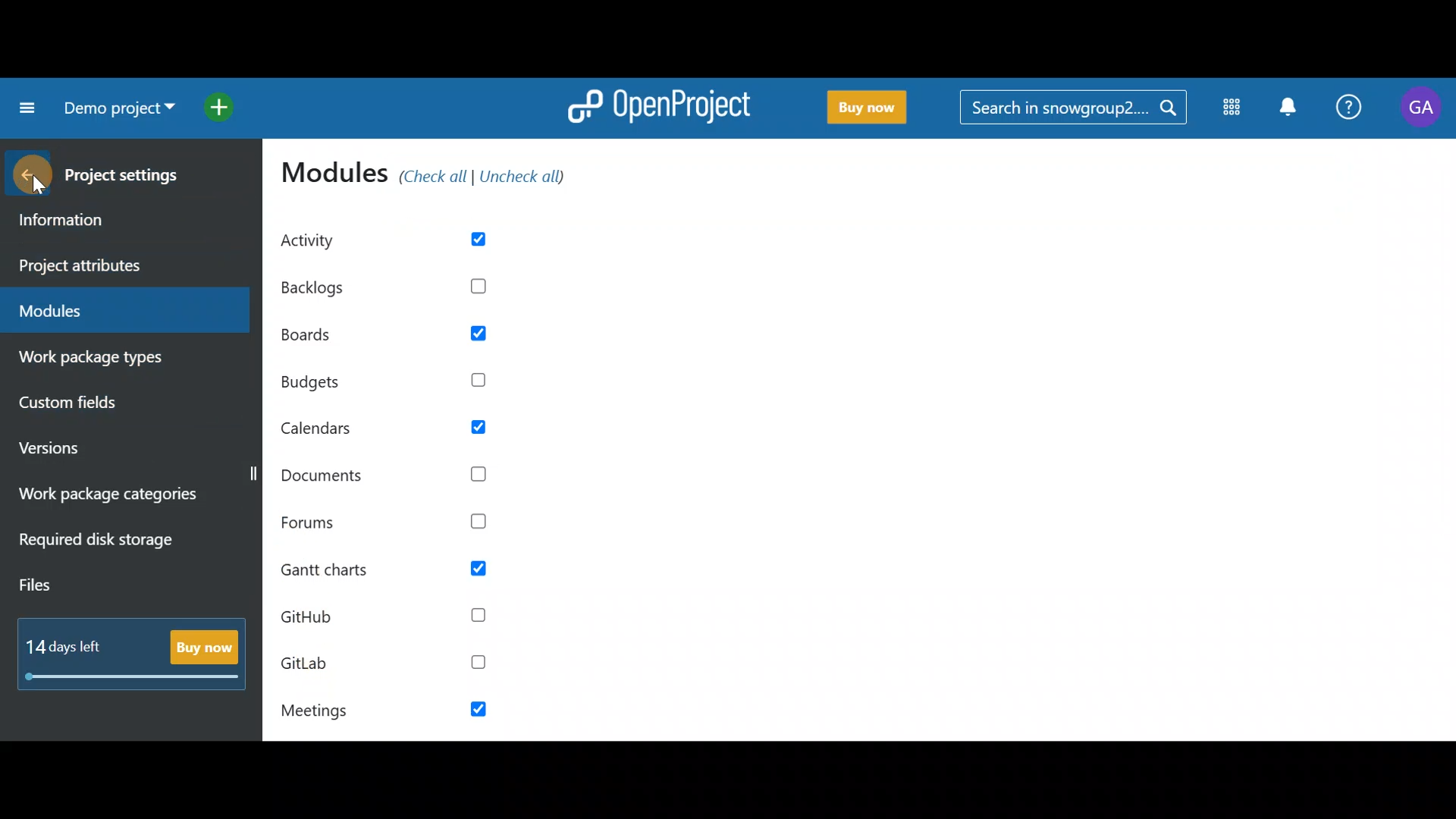 The image size is (1456, 819). I want to click on Github, so click(382, 623).